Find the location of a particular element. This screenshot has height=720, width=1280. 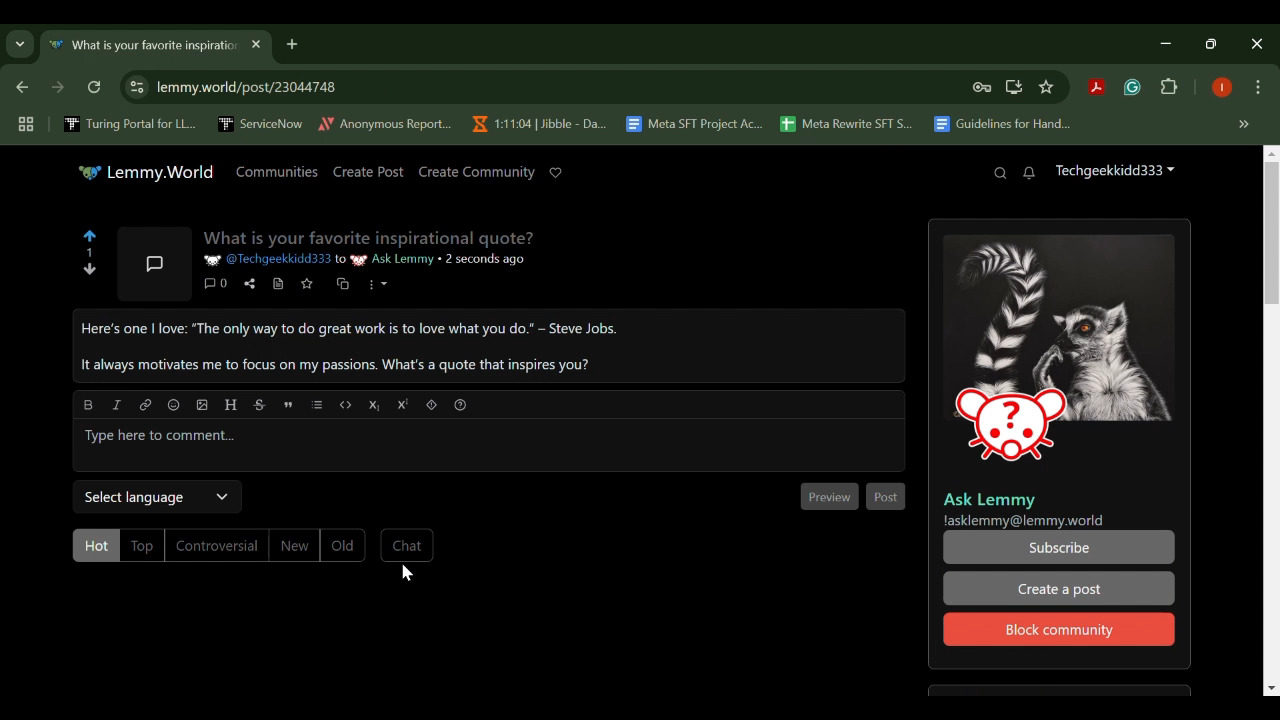

strikethrough is located at coordinates (260, 403).